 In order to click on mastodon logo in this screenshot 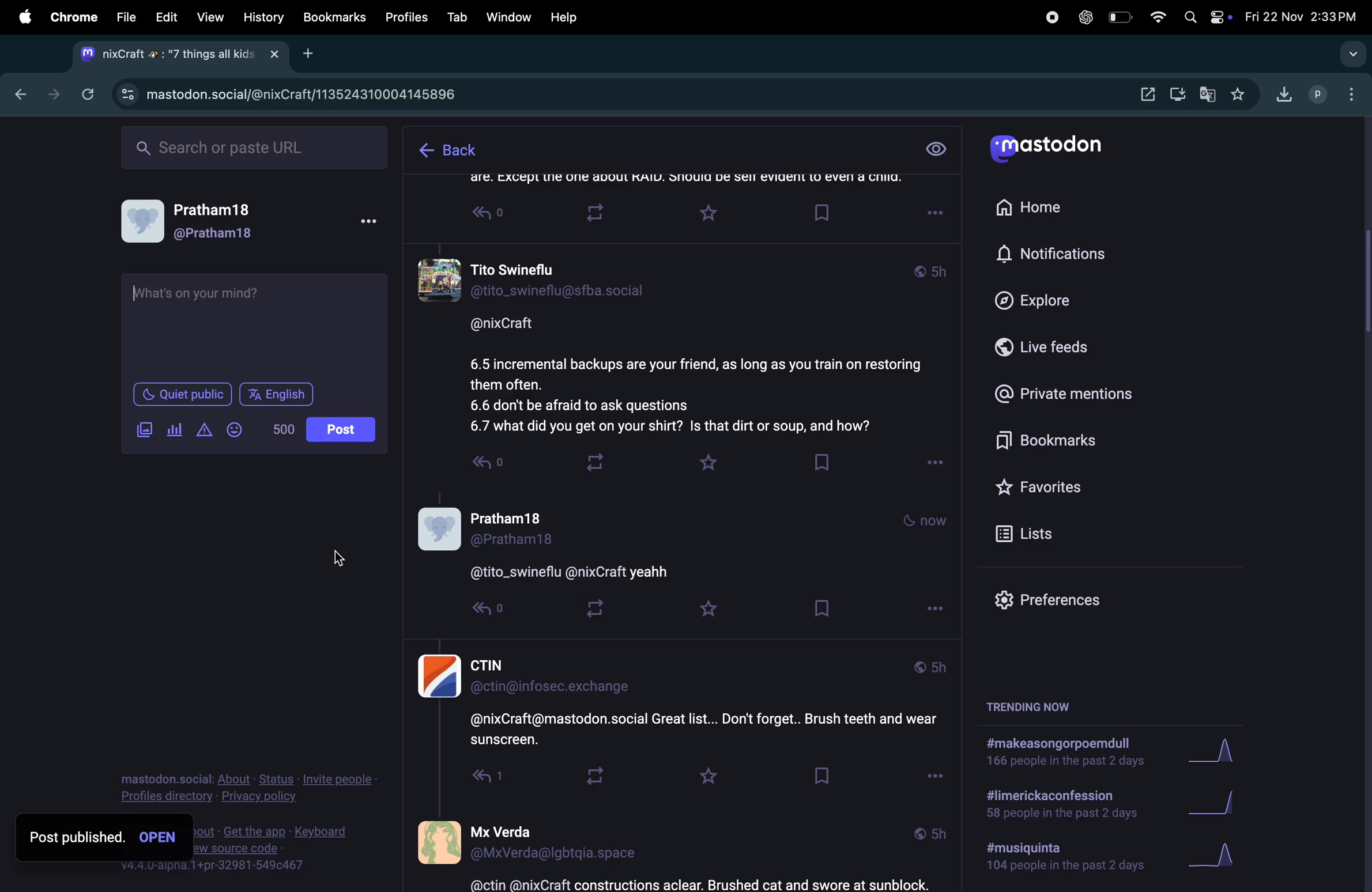, I will do `click(1057, 149)`.